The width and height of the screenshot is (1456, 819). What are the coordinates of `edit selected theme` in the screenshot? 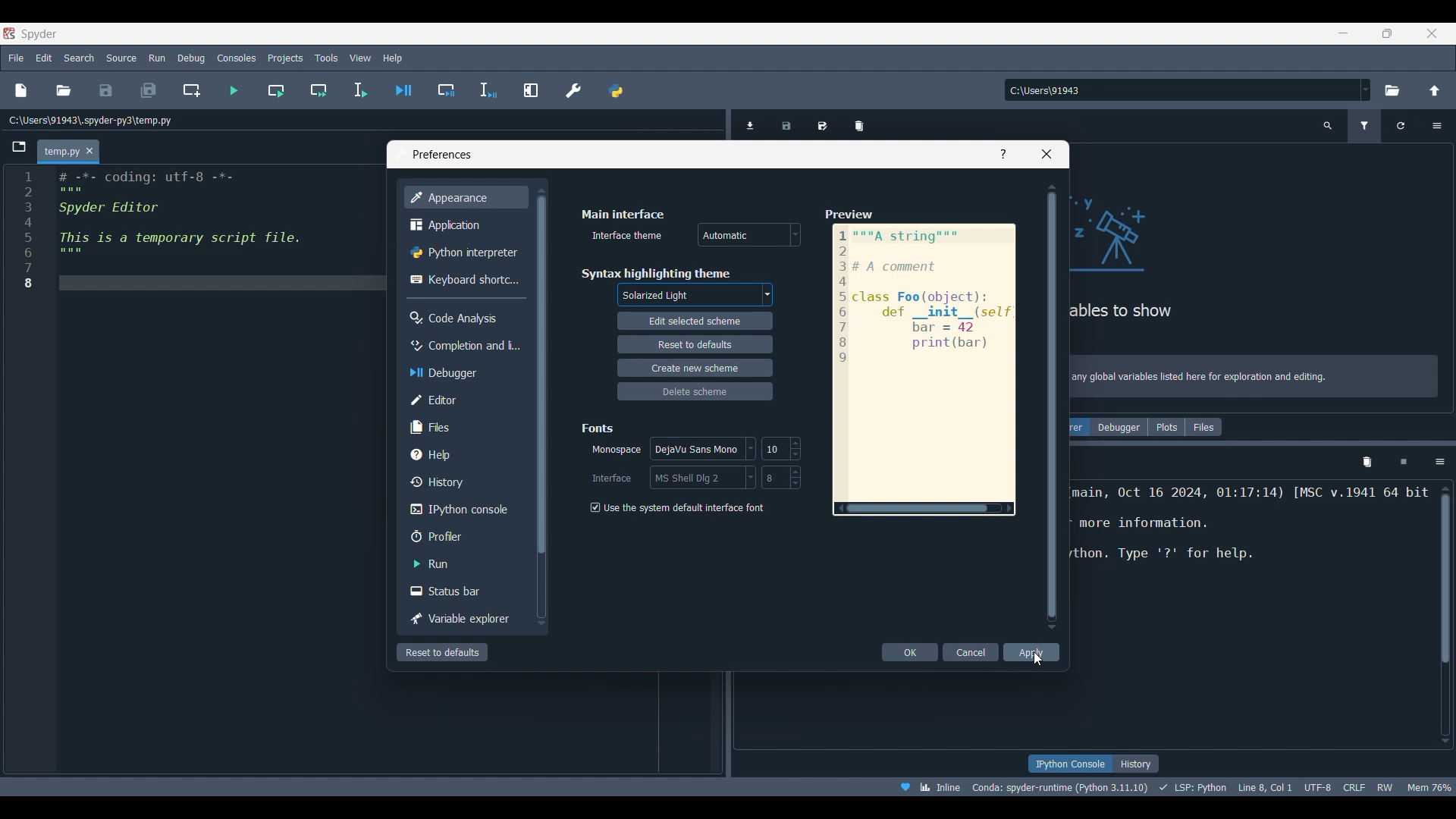 It's located at (695, 322).